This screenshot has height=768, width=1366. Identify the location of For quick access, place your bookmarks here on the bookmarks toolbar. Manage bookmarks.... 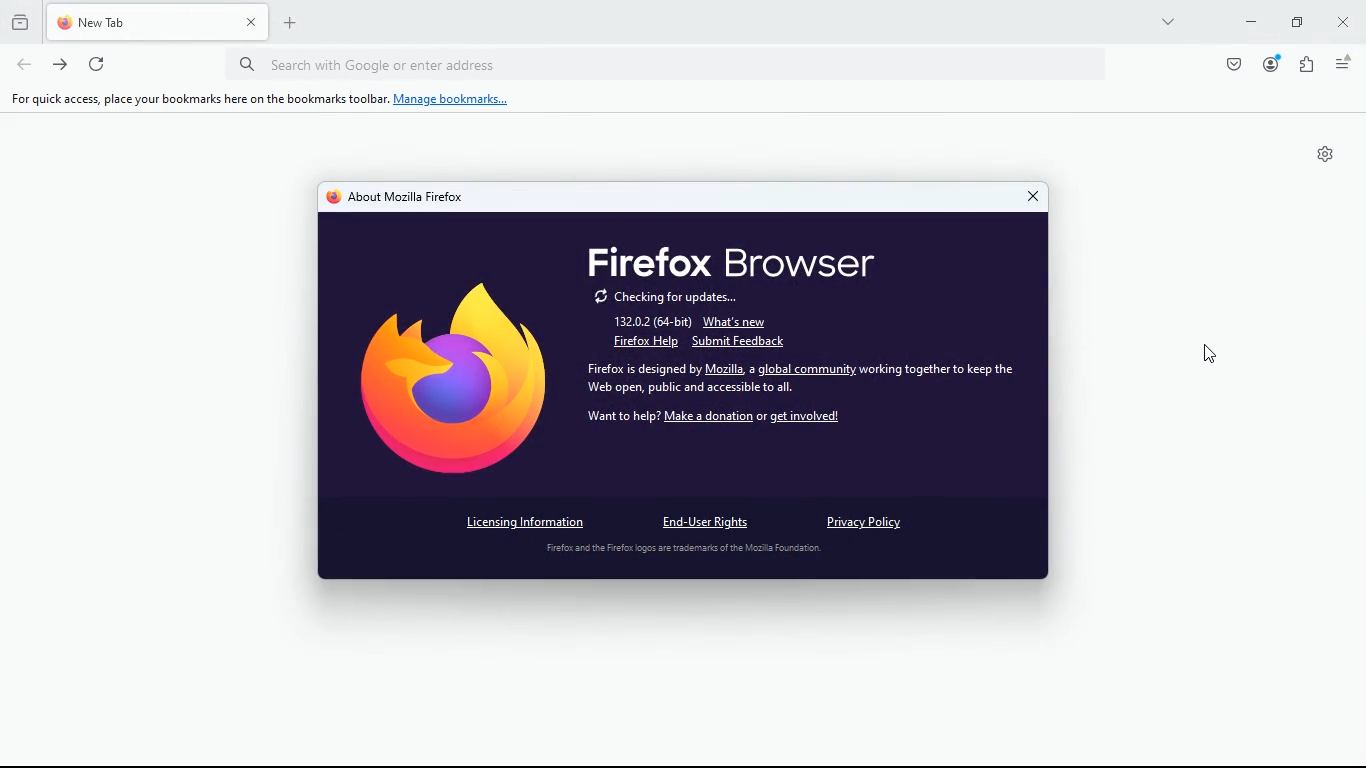
(259, 99).